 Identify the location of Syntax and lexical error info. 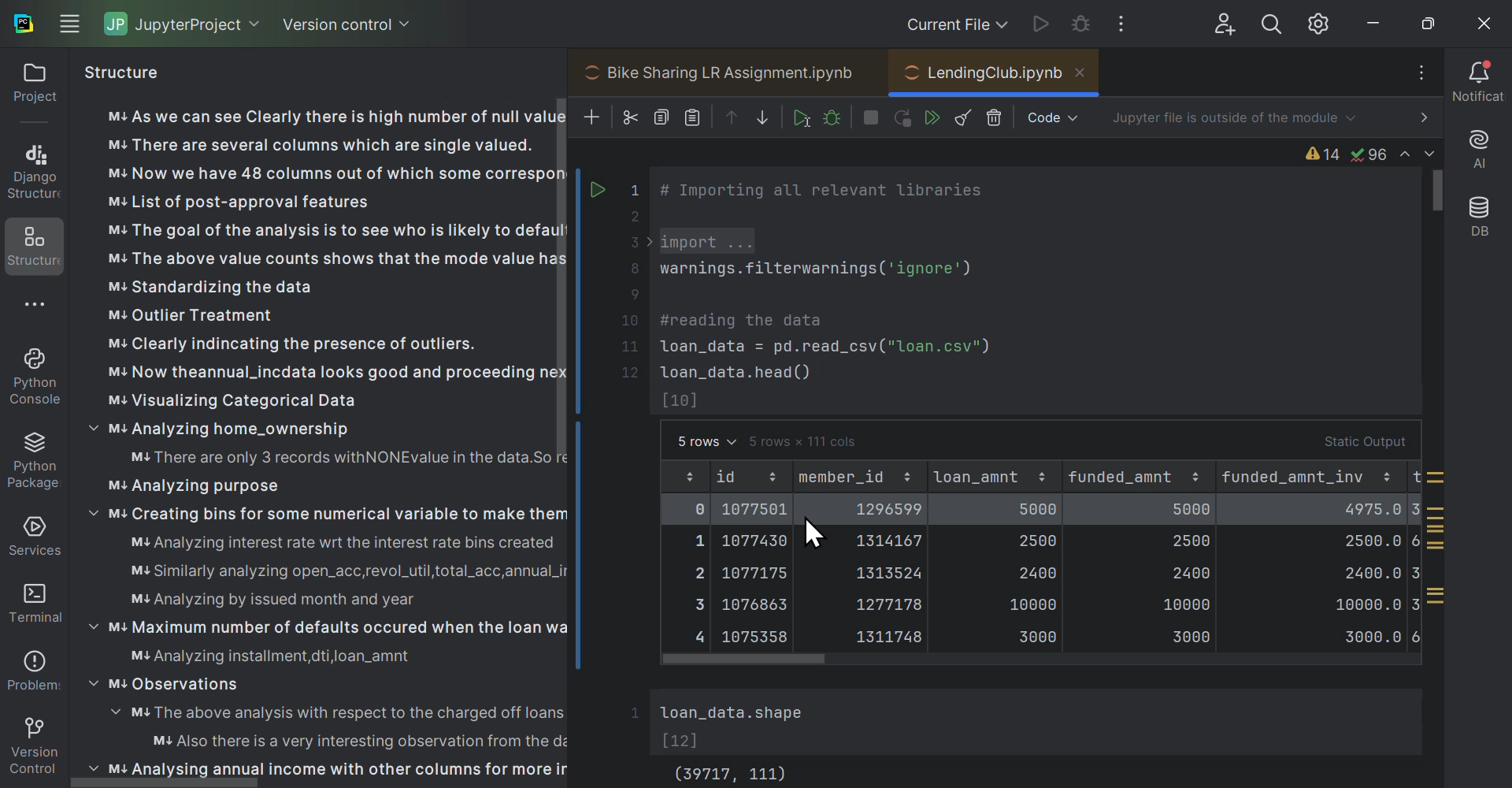
(1366, 153).